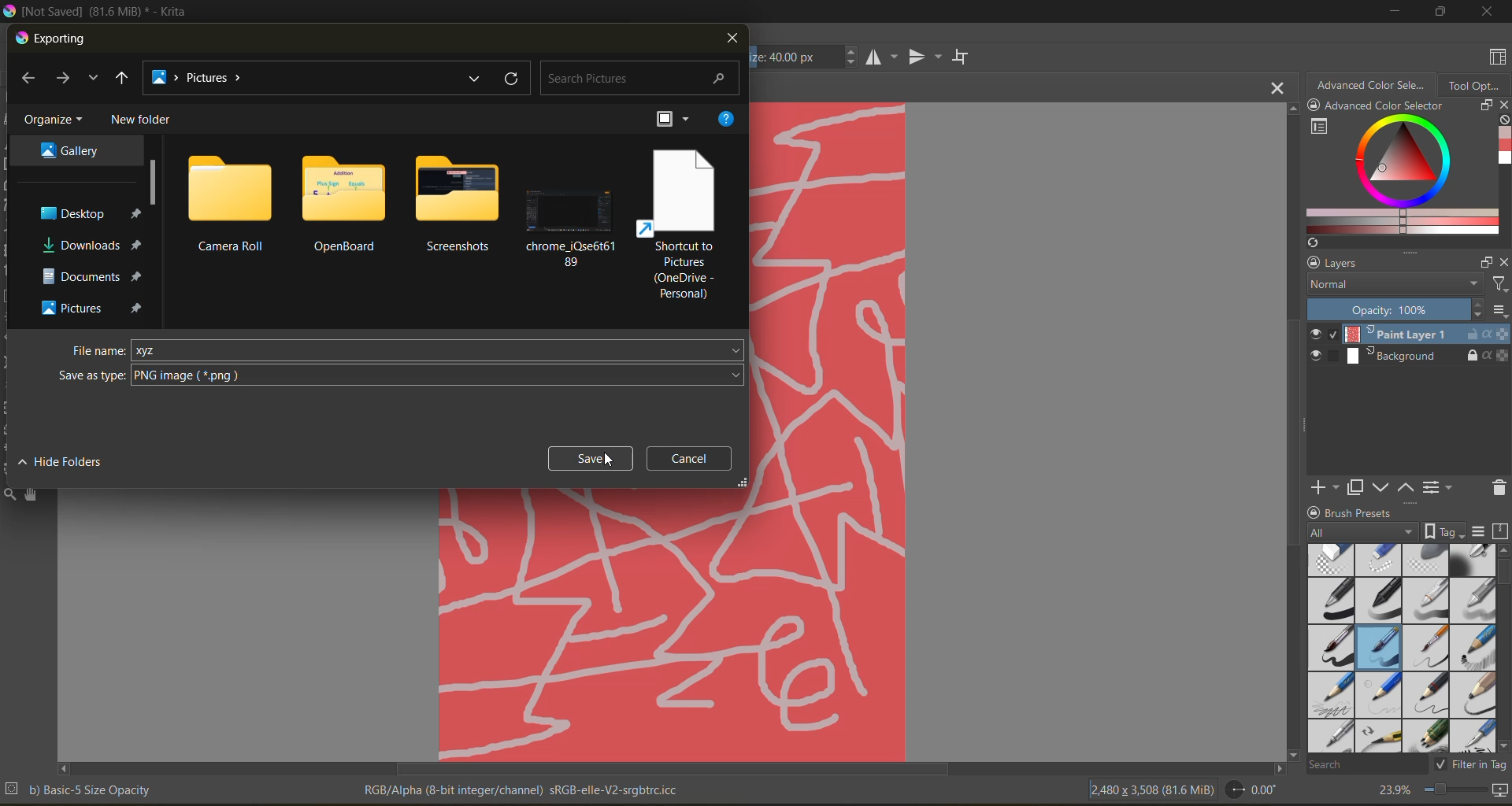  I want to click on show tag, so click(1442, 531).